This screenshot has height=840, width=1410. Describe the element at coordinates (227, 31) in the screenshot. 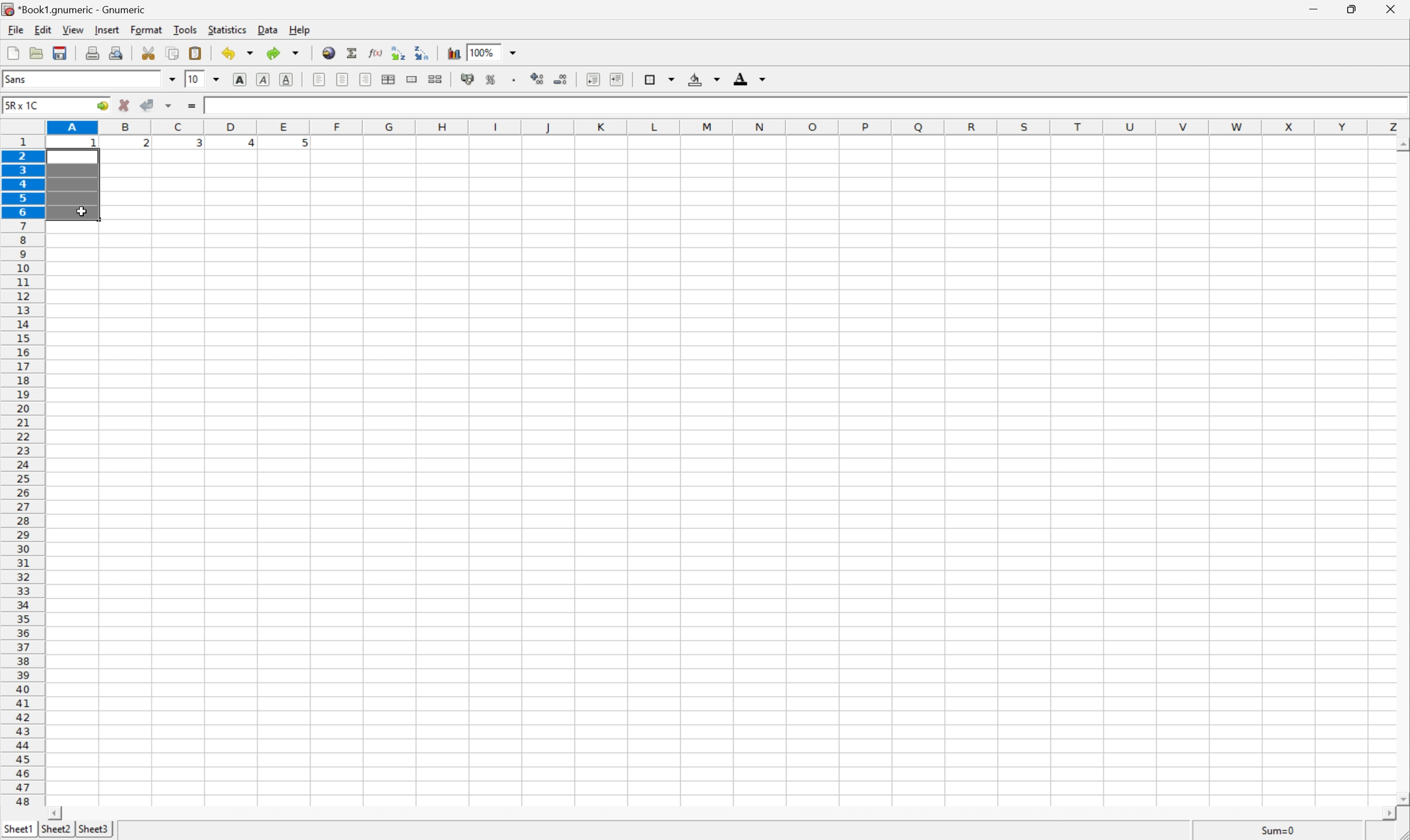

I see `statistics` at that location.